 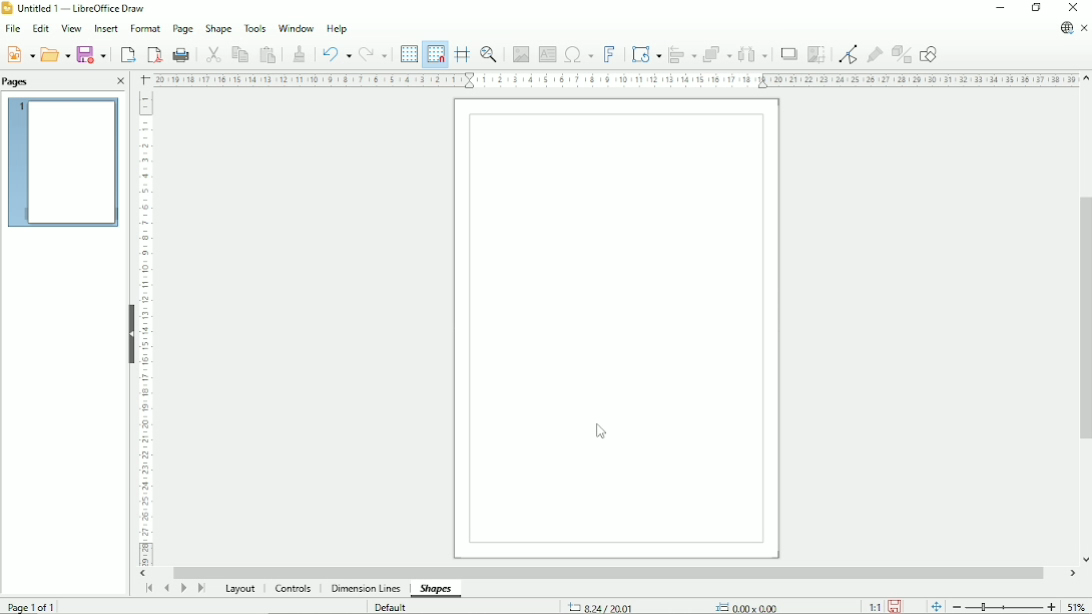 I want to click on Display grid, so click(x=408, y=54).